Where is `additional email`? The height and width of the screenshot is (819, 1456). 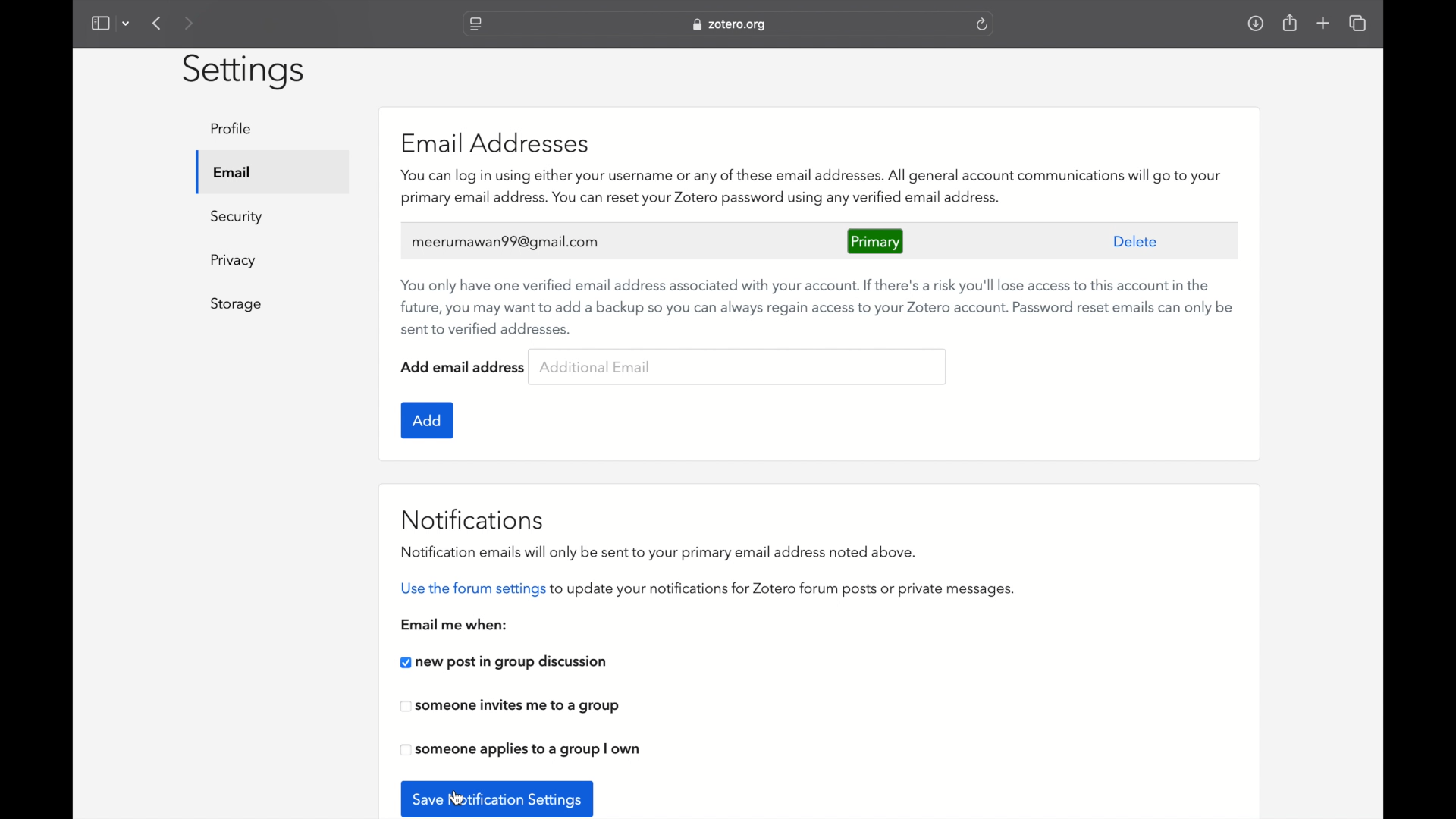
additional email is located at coordinates (596, 366).